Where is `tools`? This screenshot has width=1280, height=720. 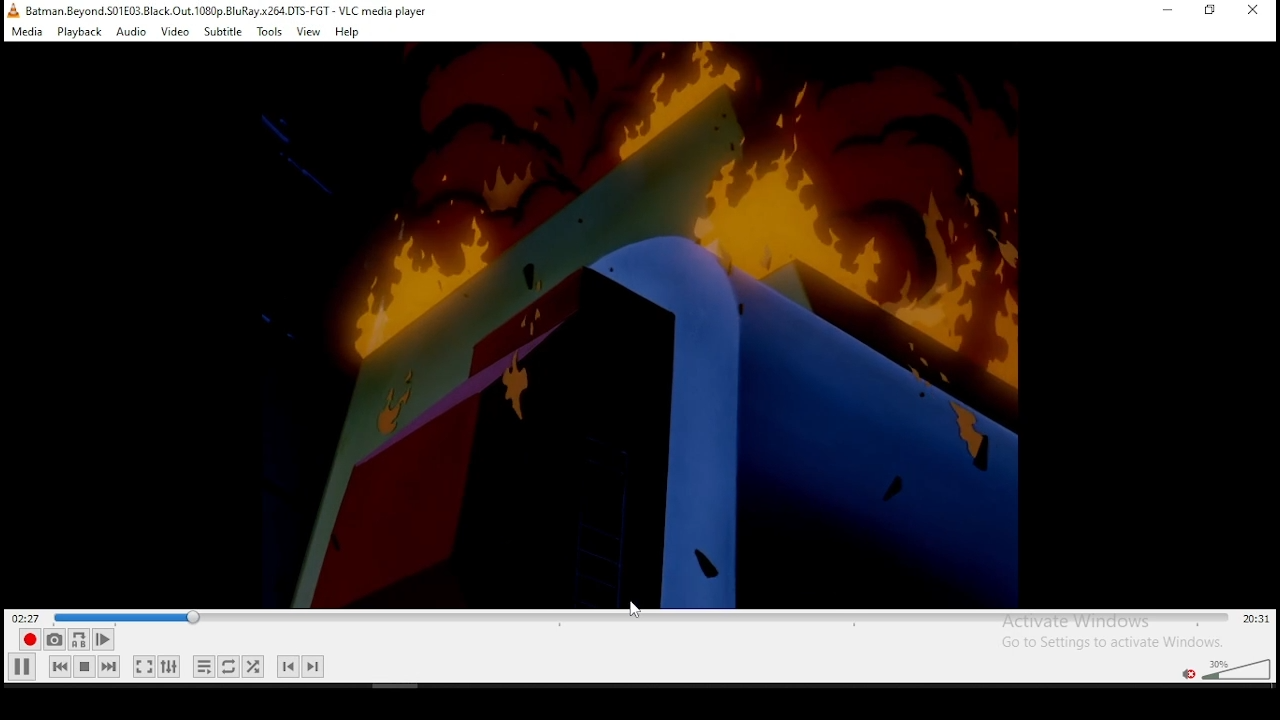 tools is located at coordinates (269, 32).